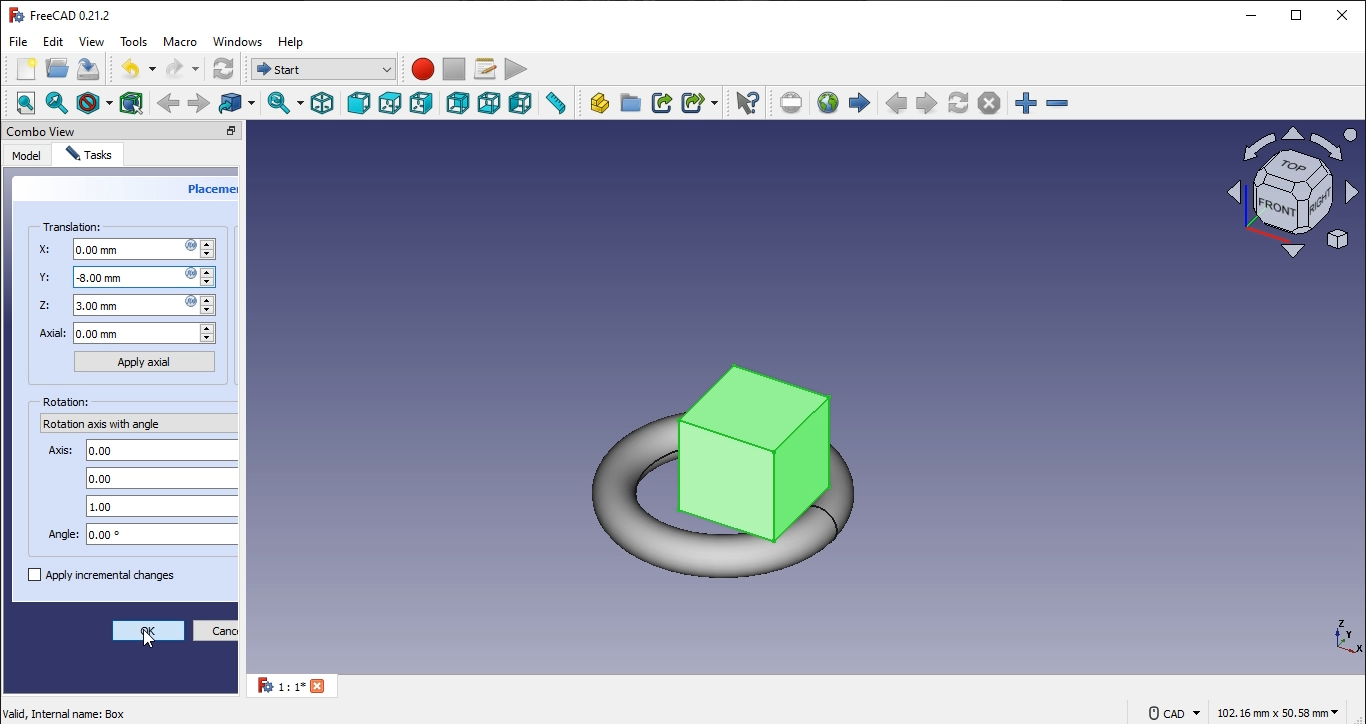  What do you see at coordinates (65, 403) in the screenshot?
I see `rotation` at bounding box center [65, 403].